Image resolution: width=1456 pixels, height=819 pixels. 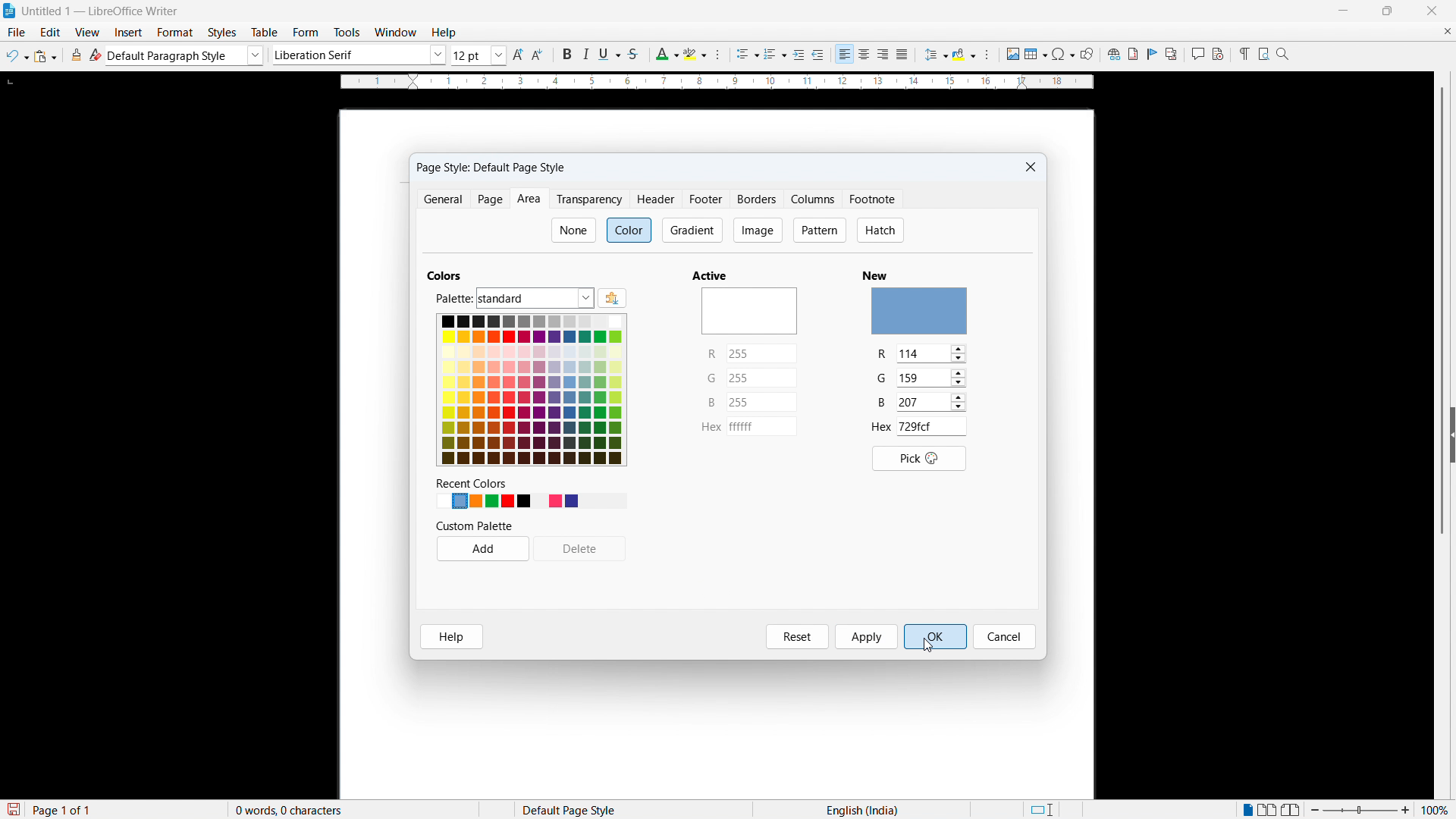 I want to click on Increase font size , so click(x=519, y=55).